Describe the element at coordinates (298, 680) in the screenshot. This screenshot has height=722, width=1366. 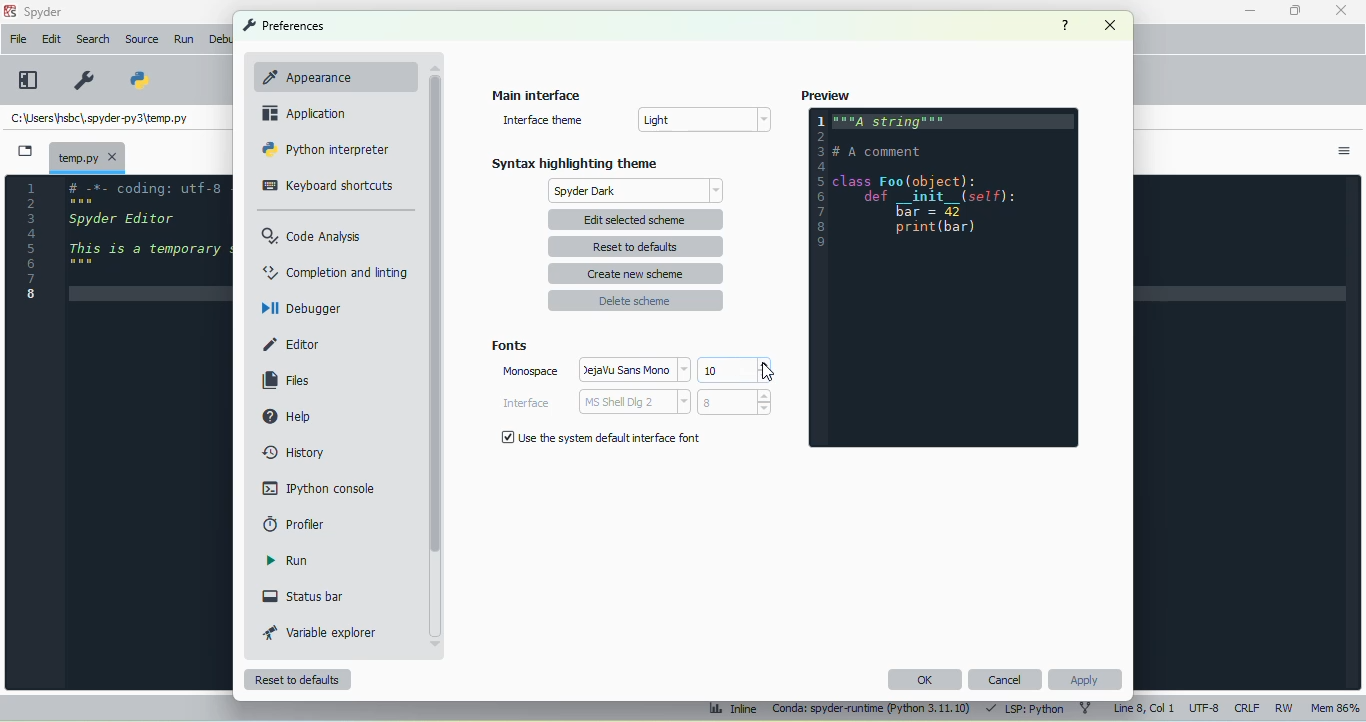
I see `reset to defaults` at that location.